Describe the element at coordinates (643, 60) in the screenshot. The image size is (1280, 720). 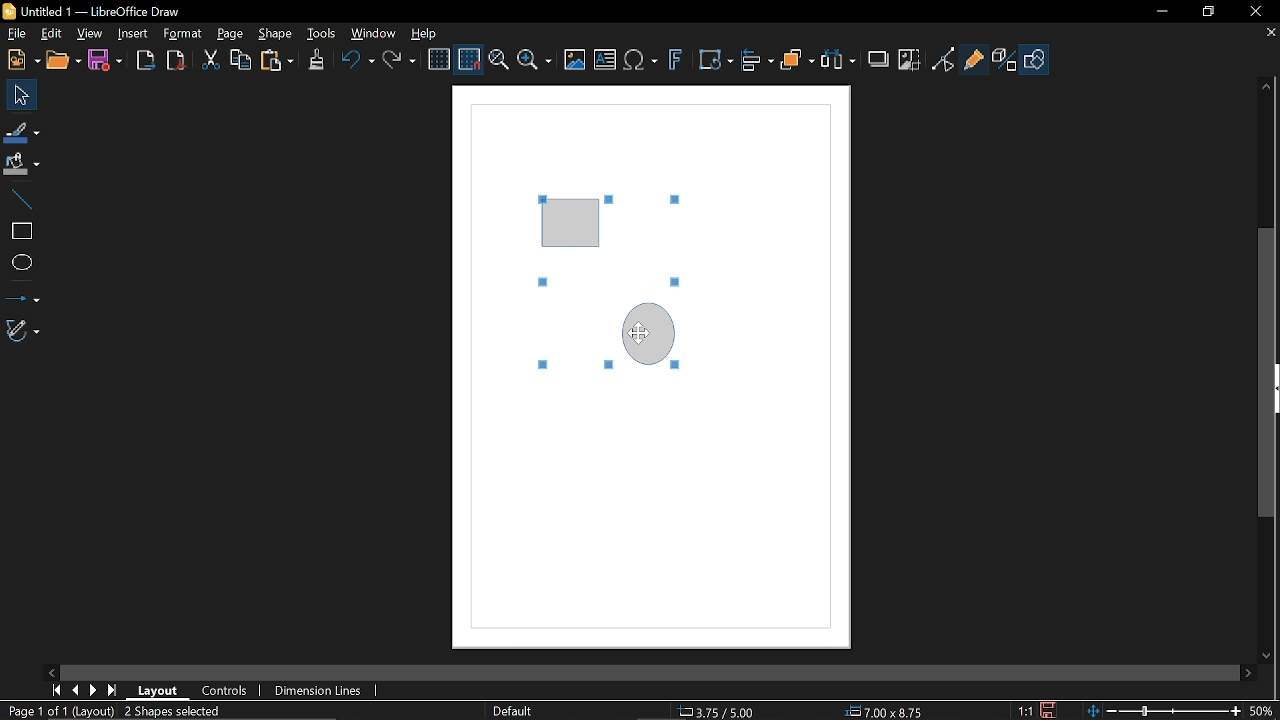
I see `Insert equation` at that location.